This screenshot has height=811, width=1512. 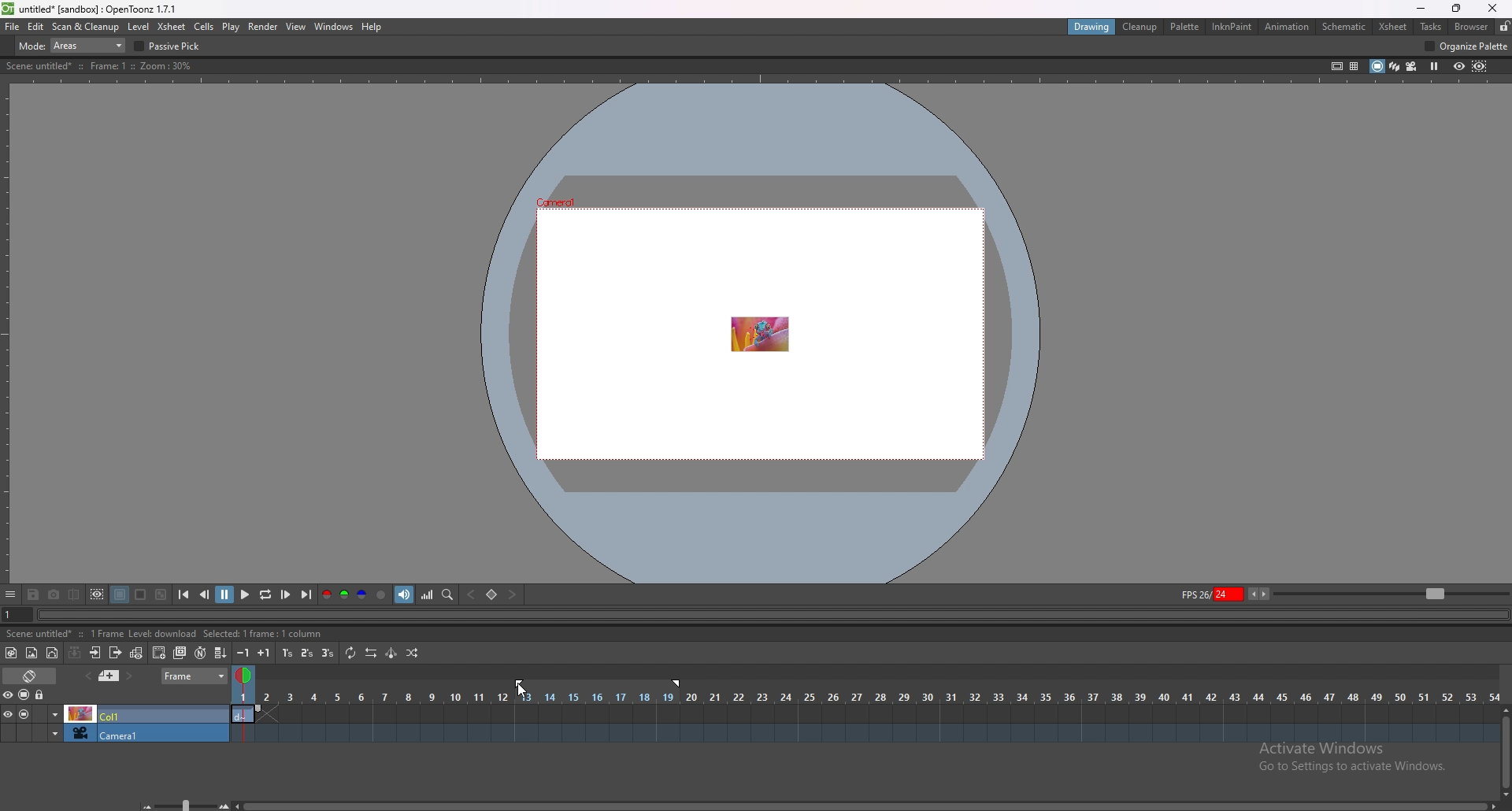 I want to click on windows, so click(x=334, y=27).